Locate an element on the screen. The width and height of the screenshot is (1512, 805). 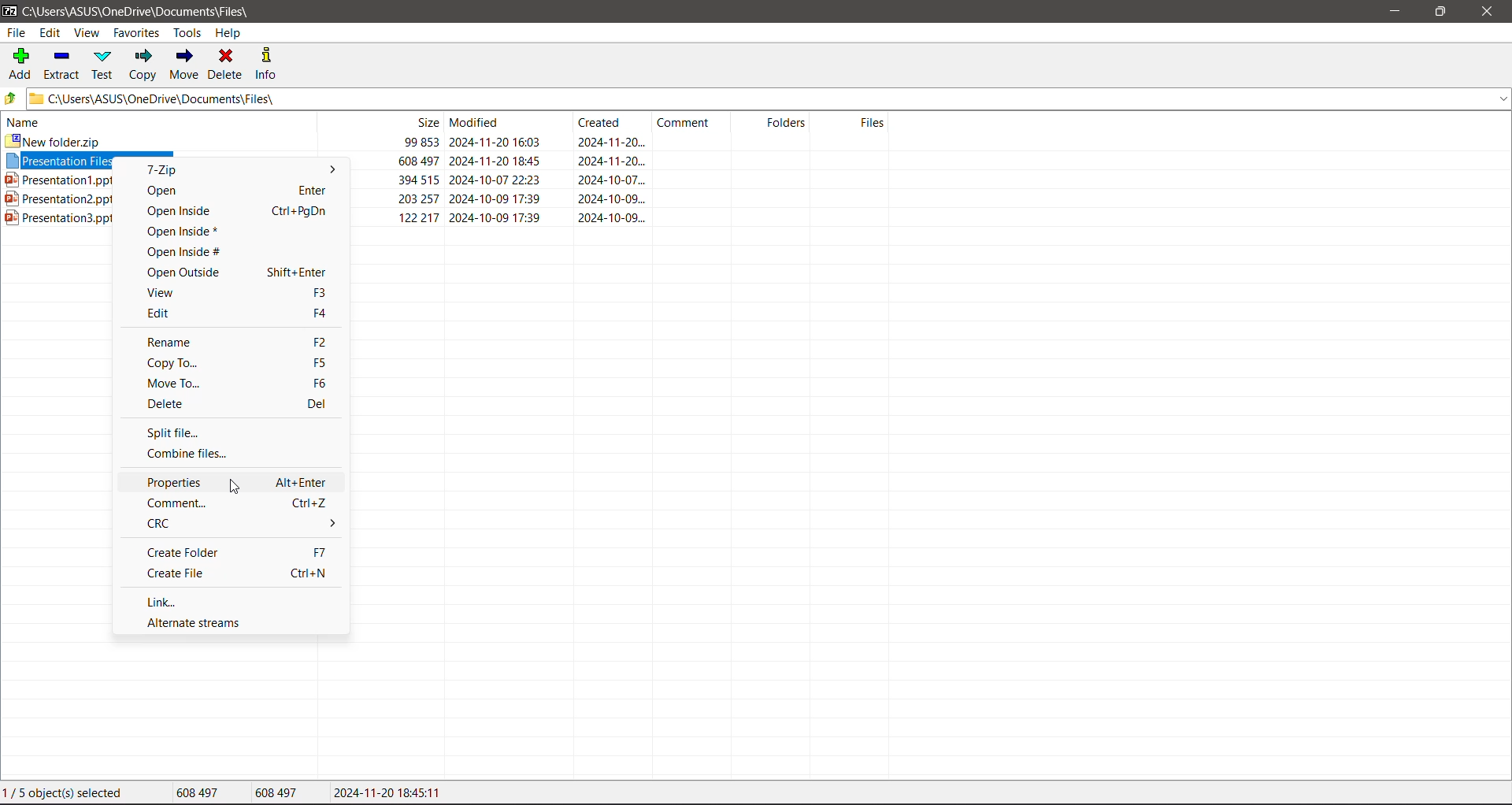
 Presentation2.pptx 203 257 2024-10-09 17:39 2024-10-09. is located at coordinates (57, 200).